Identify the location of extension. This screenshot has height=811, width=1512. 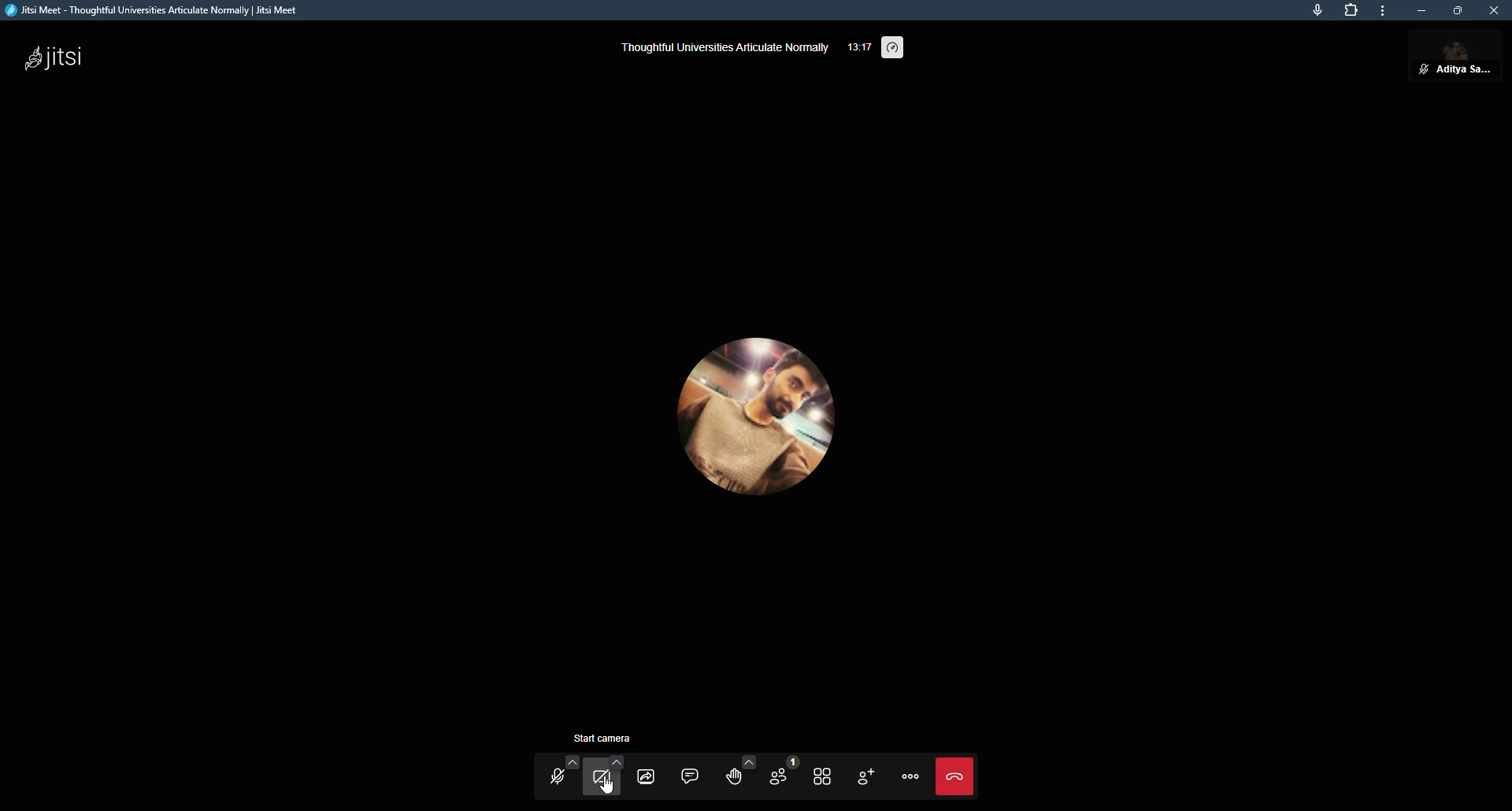
(1351, 11).